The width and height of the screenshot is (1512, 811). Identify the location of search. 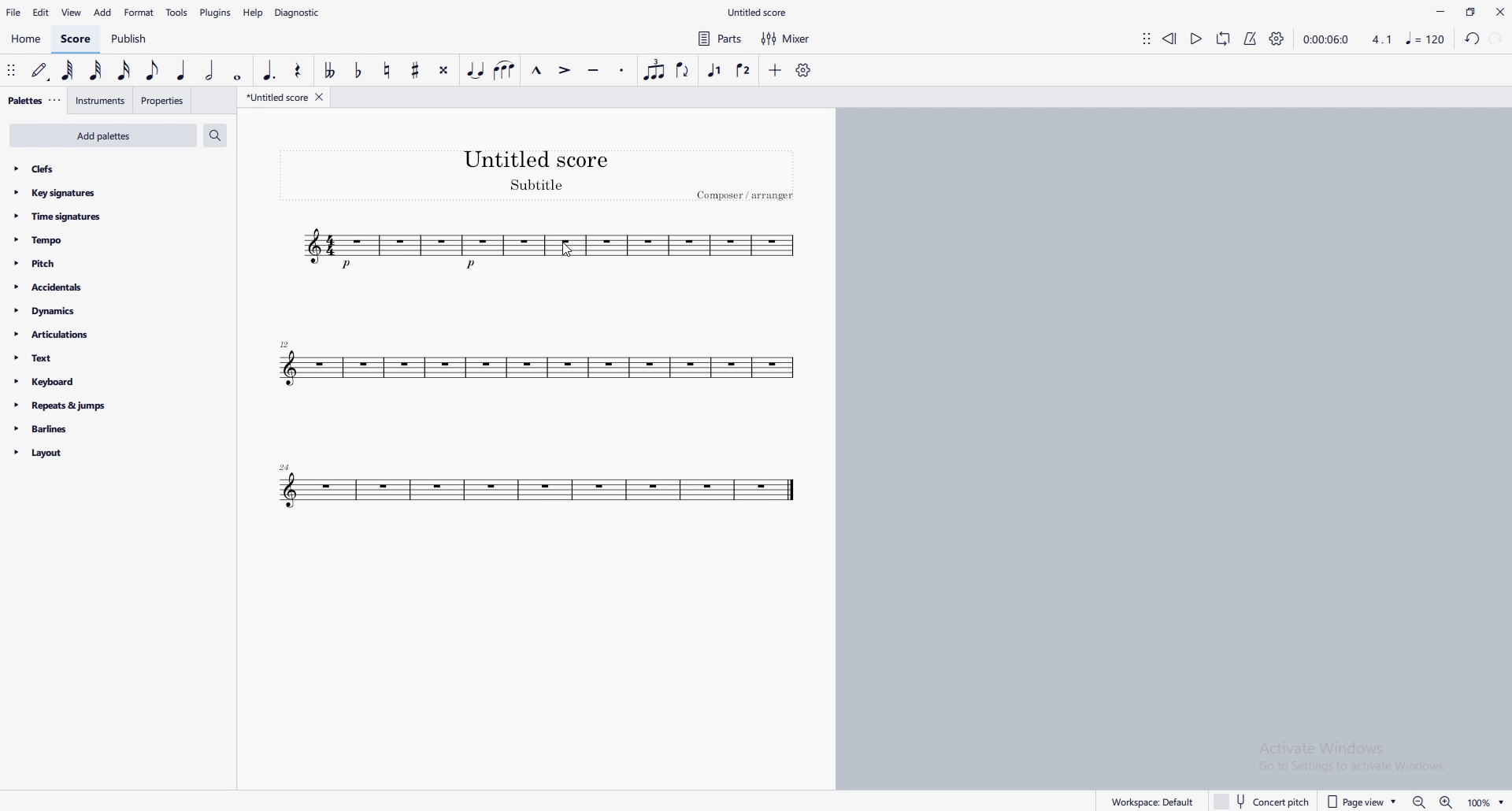
(214, 135).